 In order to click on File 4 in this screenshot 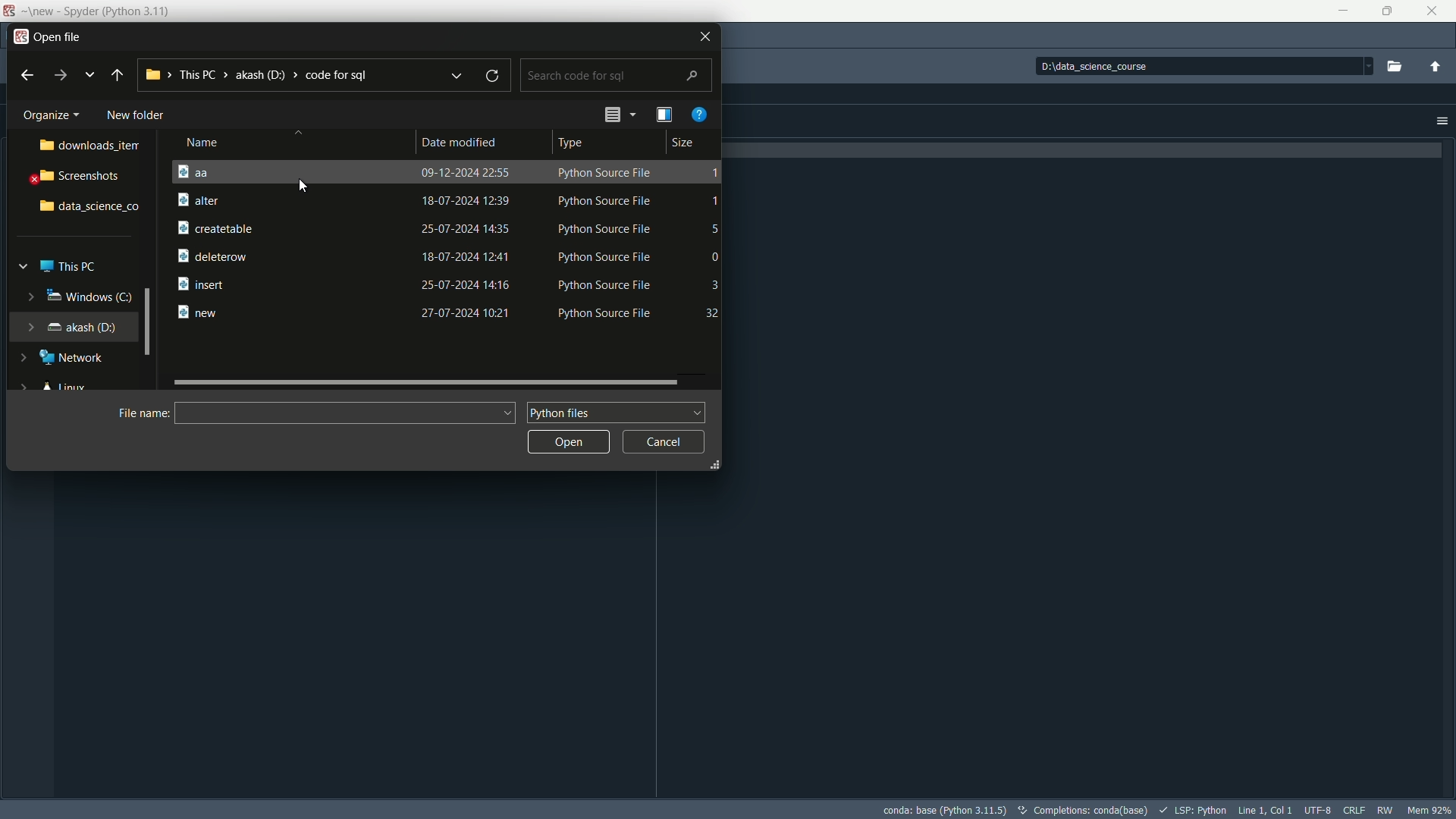, I will do `click(447, 254)`.